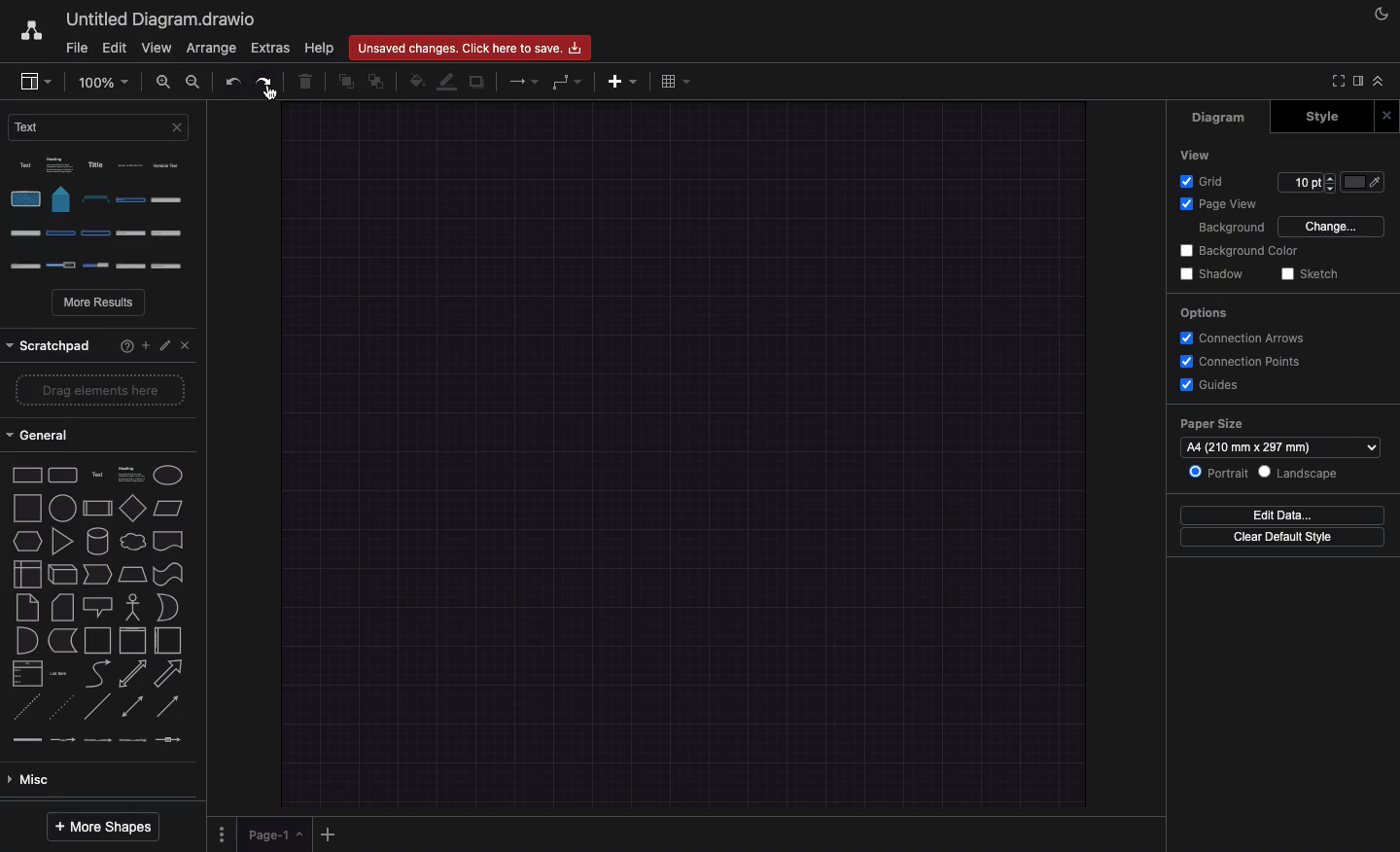 The image size is (1400, 852). I want to click on Connection arrows, so click(1242, 337).